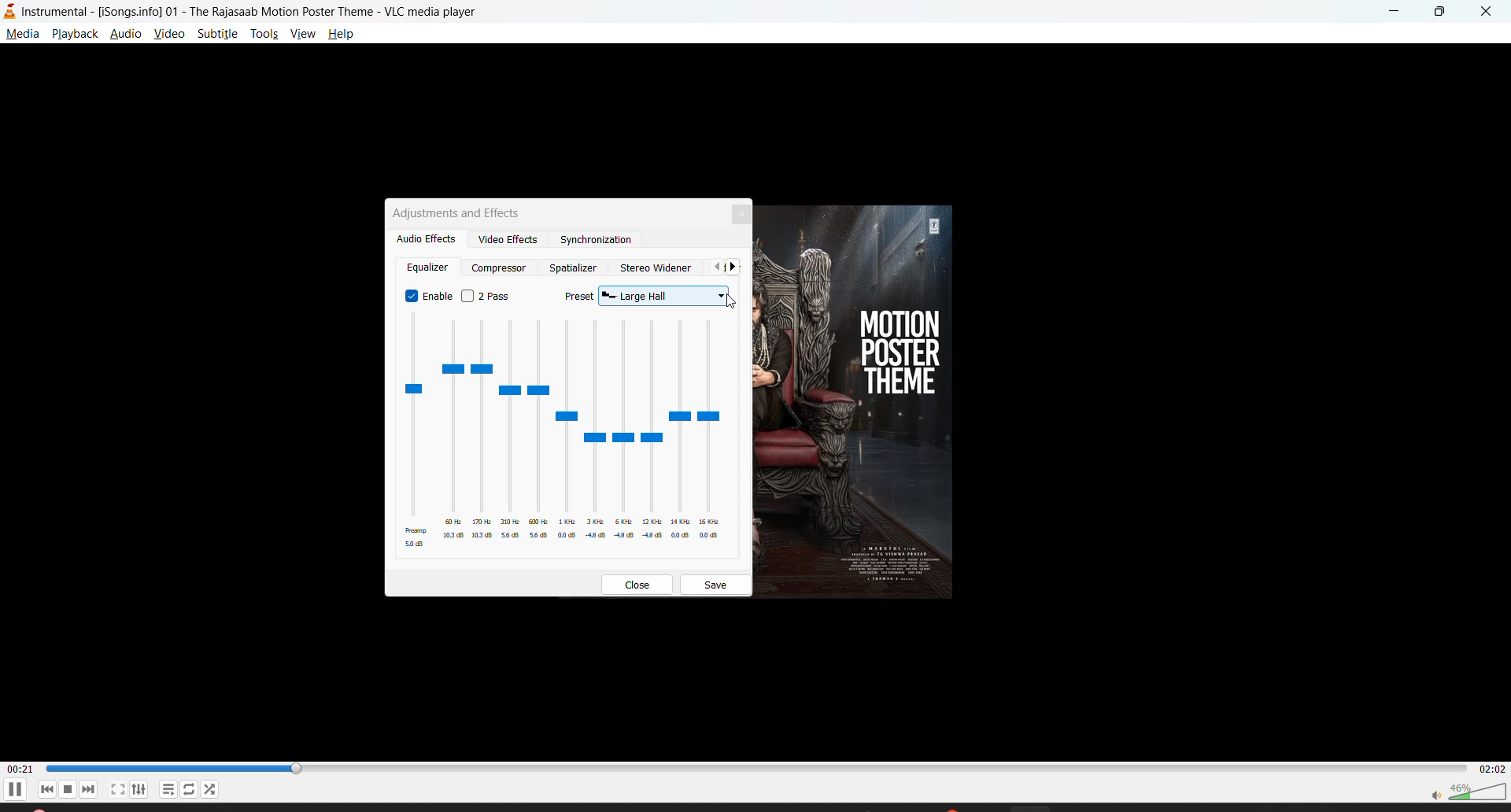  What do you see at coordinates (659, 265) in the screenshot?
I see `stereo widener` at bounding box center [659, 265].